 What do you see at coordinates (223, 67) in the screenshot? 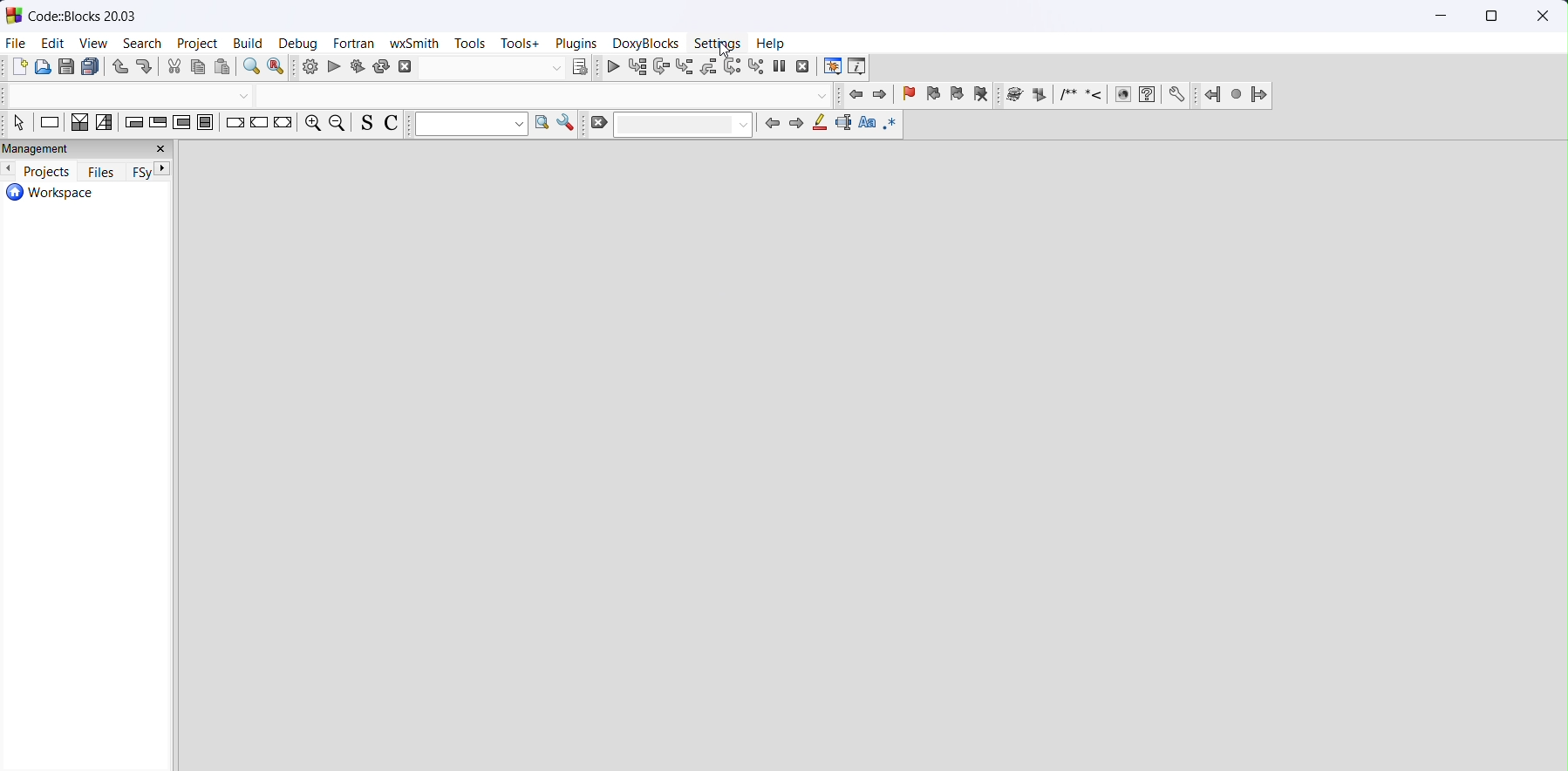
I see `paste` at bounding box center [223, 67].